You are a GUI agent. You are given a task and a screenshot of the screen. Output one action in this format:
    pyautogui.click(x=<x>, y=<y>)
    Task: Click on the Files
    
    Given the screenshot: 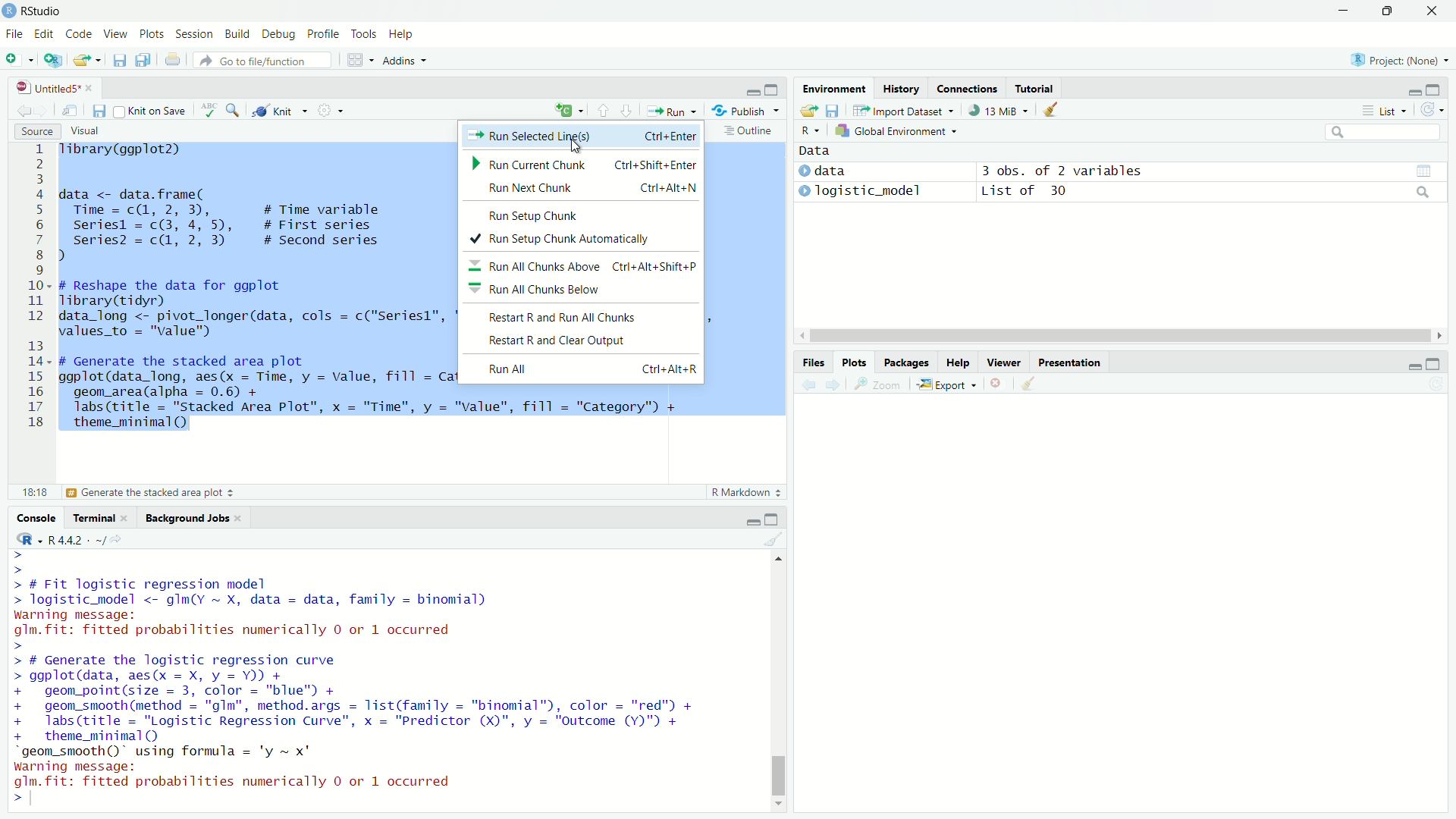 What is the action you would take?
    pyautogui.click(x=808, y=362)
    